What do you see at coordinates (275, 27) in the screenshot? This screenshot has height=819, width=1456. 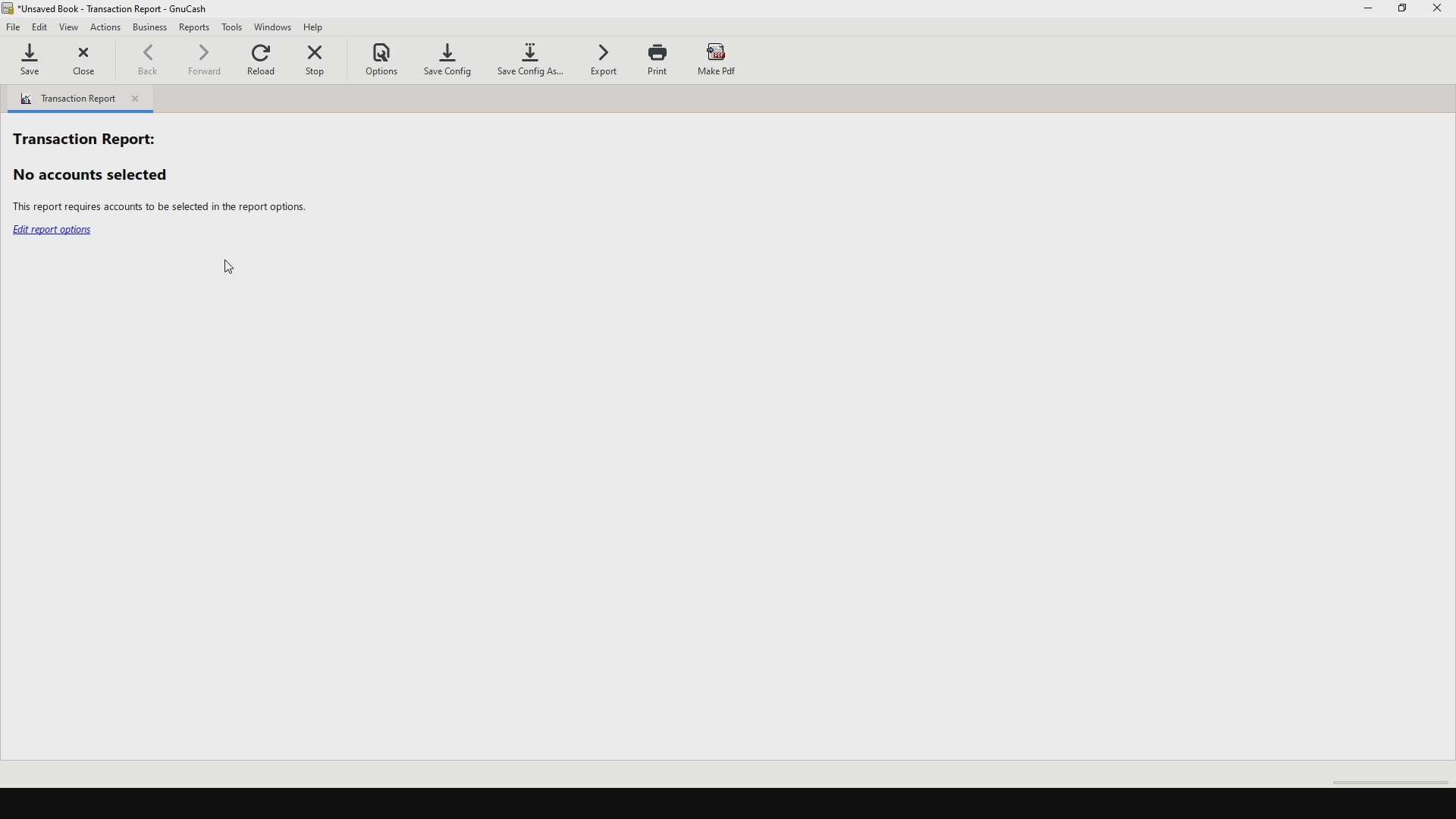 I see `windows` at bounding box center [275, 27].